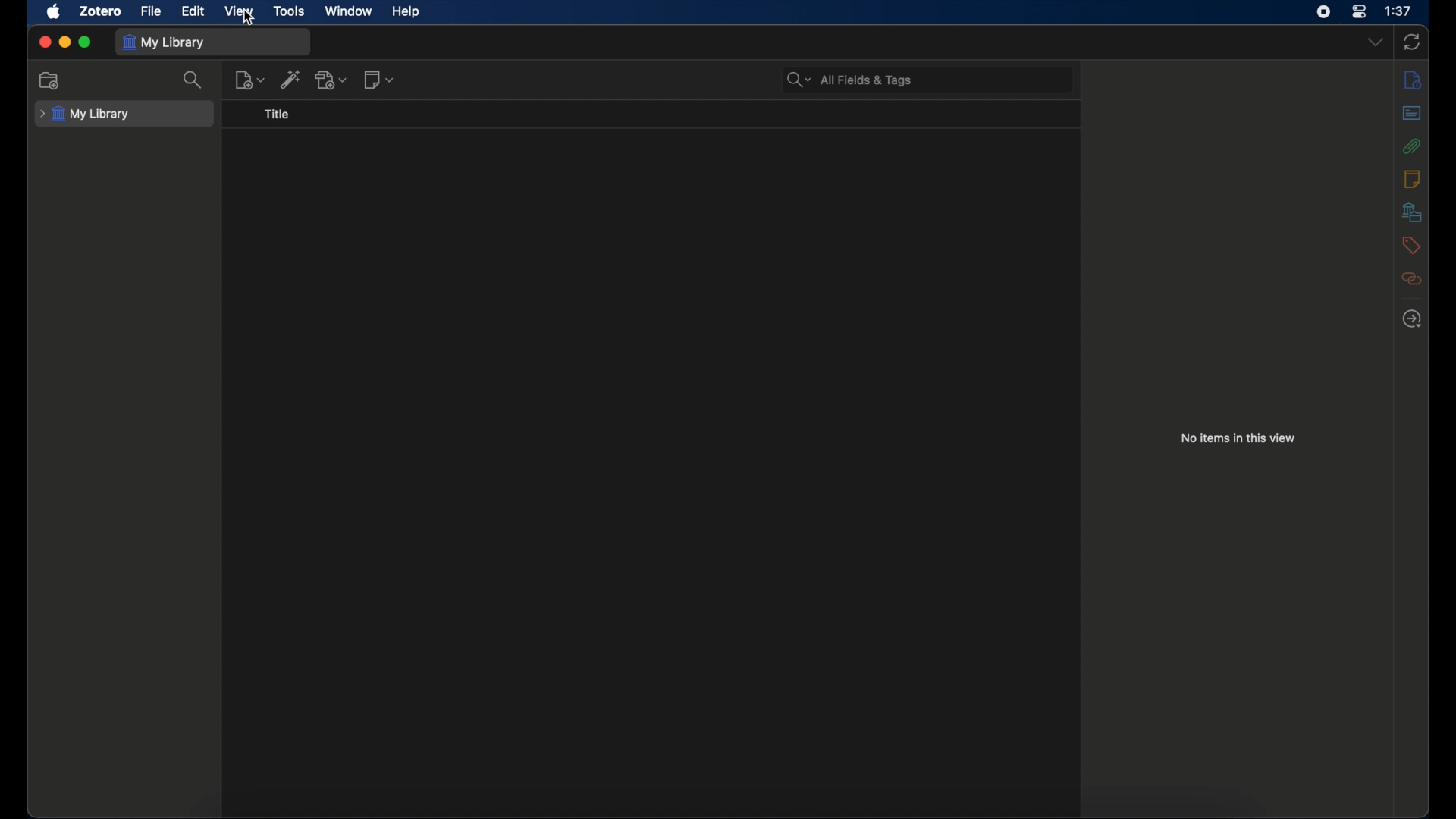 This screenshot has height=819, width=1456. I want to click on libraries, so click(1410, 212).